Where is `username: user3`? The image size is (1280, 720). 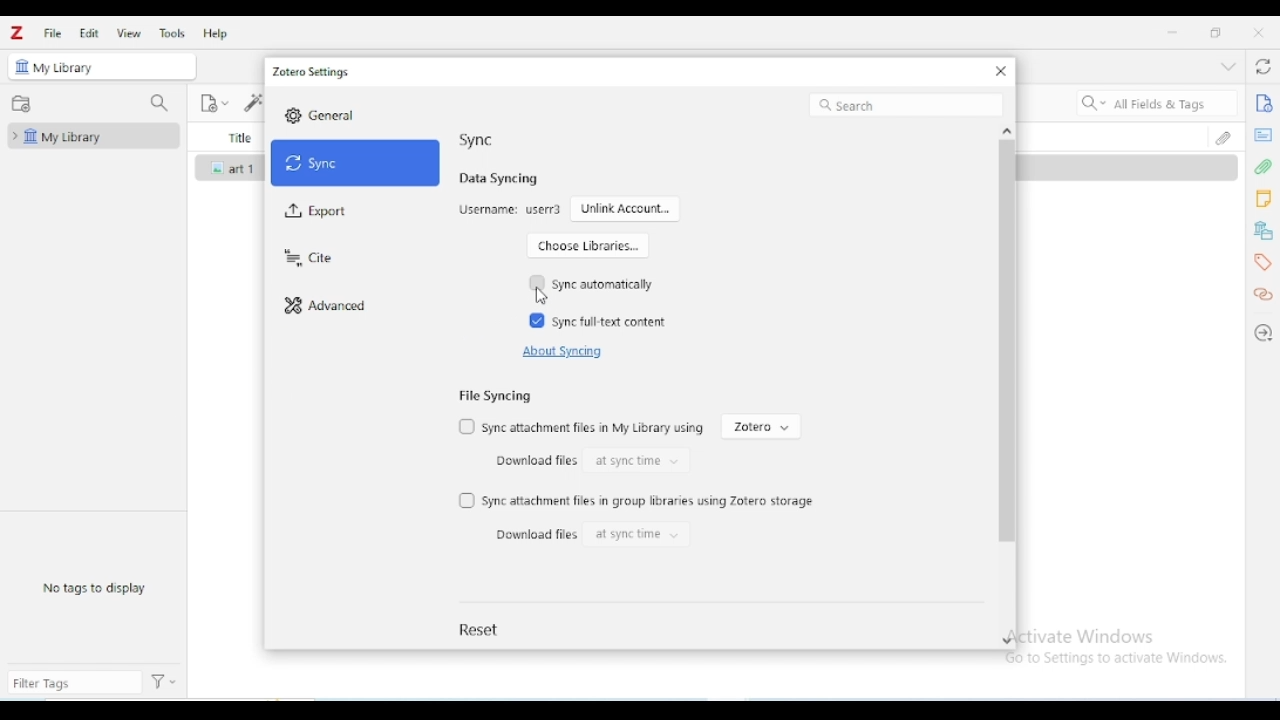
username: user3 is located at coordinates (510, 210).